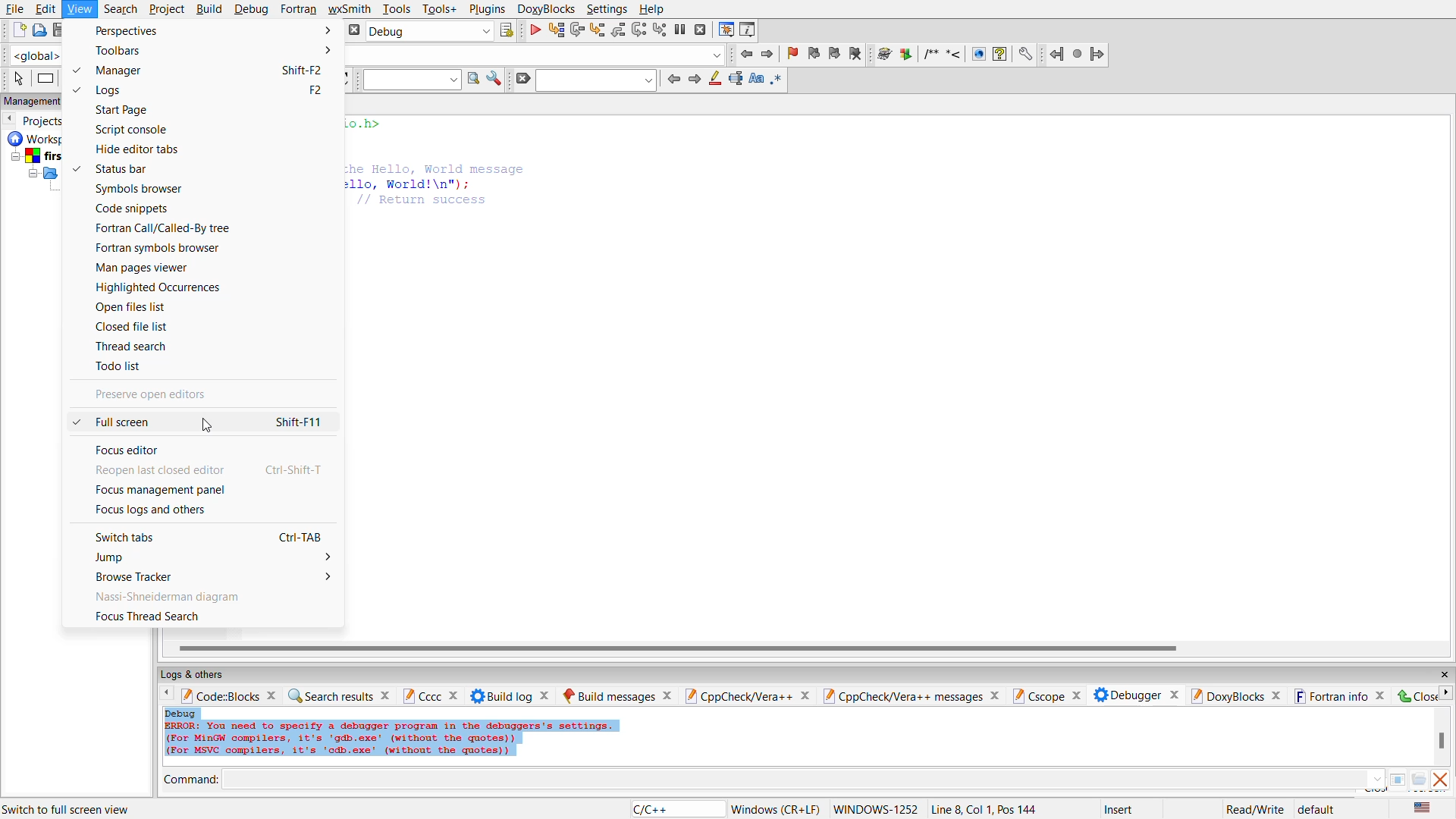 Image resolution: width=1456 pixels, height=819 pixels. I want to click on reopen last closed editor, so click(212, 469).